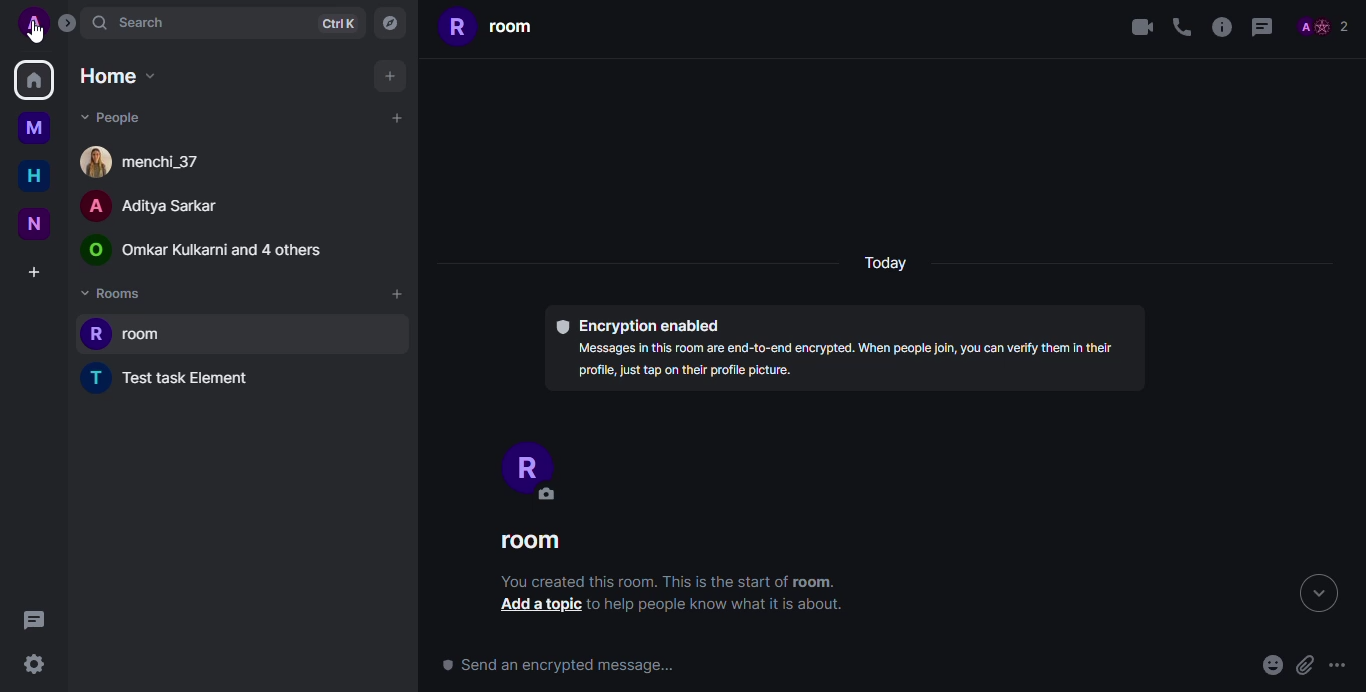 The image size is (1366, 692). What do you see at coordinates (842, 346) in the screenshot?
I see `® Encryption enabled
Messages in this room are end-to-end encrypted. When people join, you can verify them in their
profile, ust tap on their profil picture.` at bounding box center [842, 346].